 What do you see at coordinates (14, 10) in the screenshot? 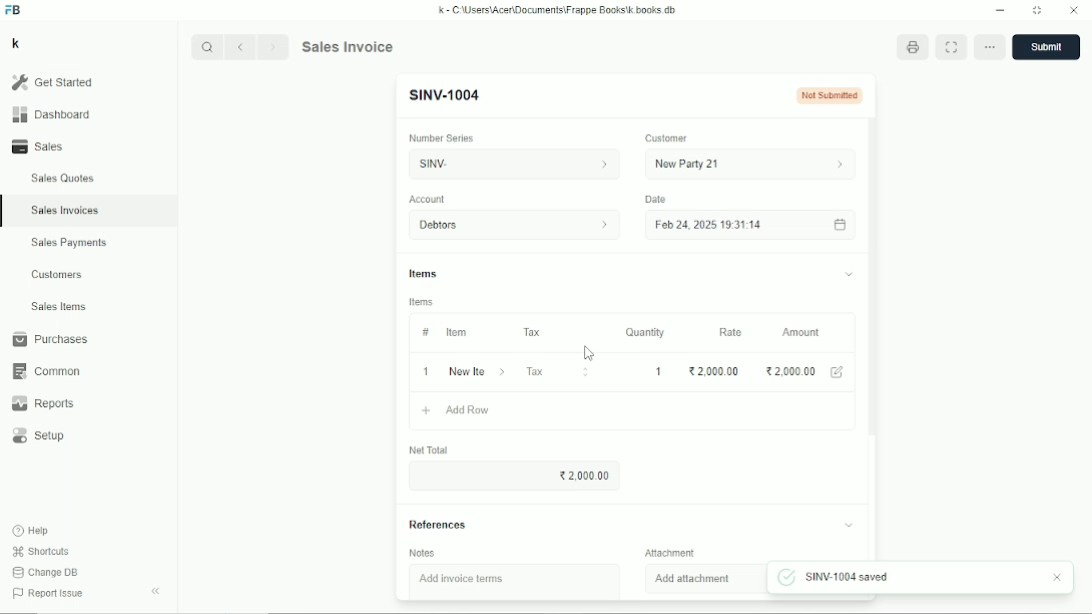
I see `FB` at bounding box center [14, 10].